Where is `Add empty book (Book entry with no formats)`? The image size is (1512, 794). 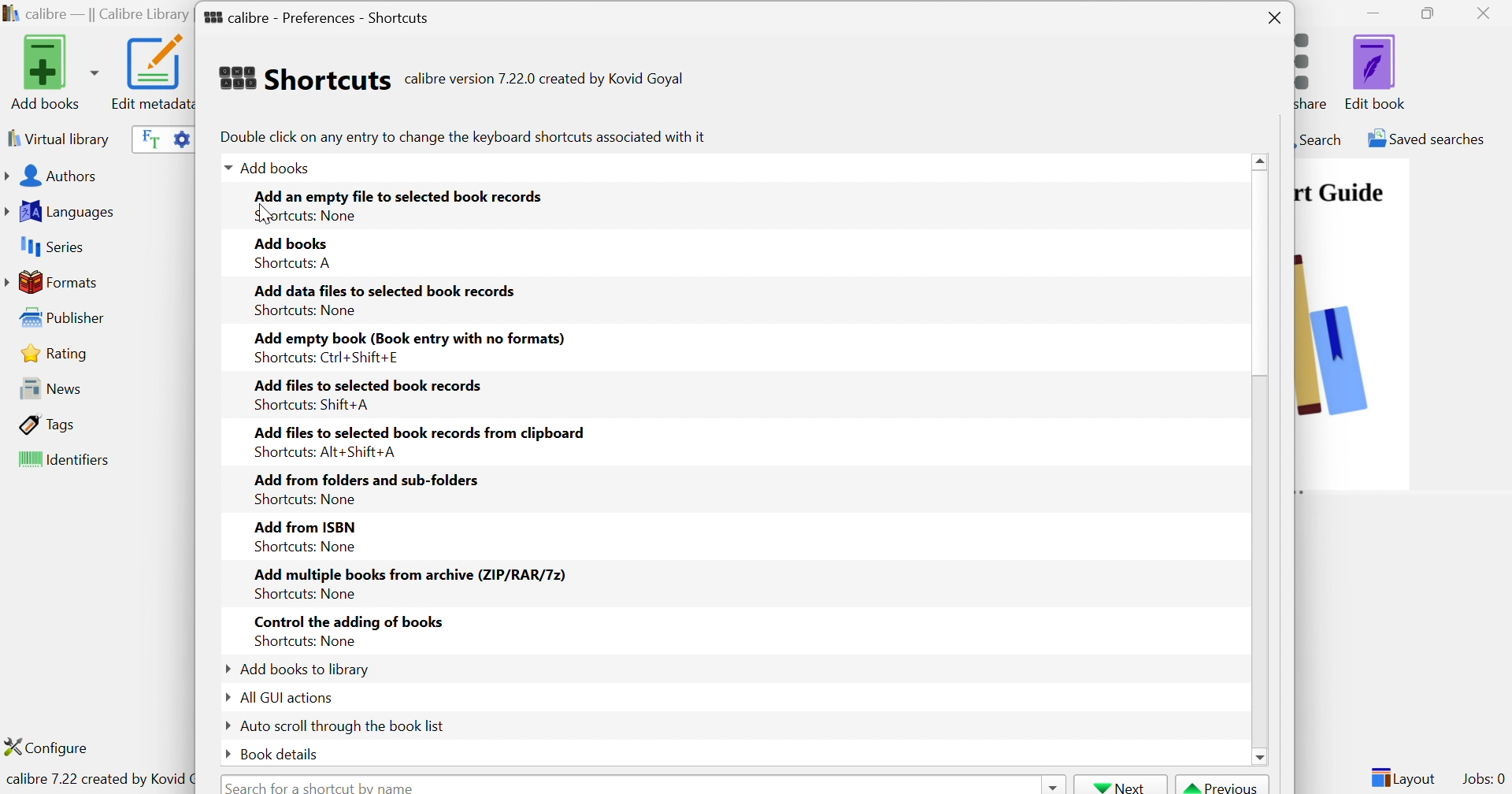 Add empty book (Book entry with no formats) is located at coordinates (406, 336).